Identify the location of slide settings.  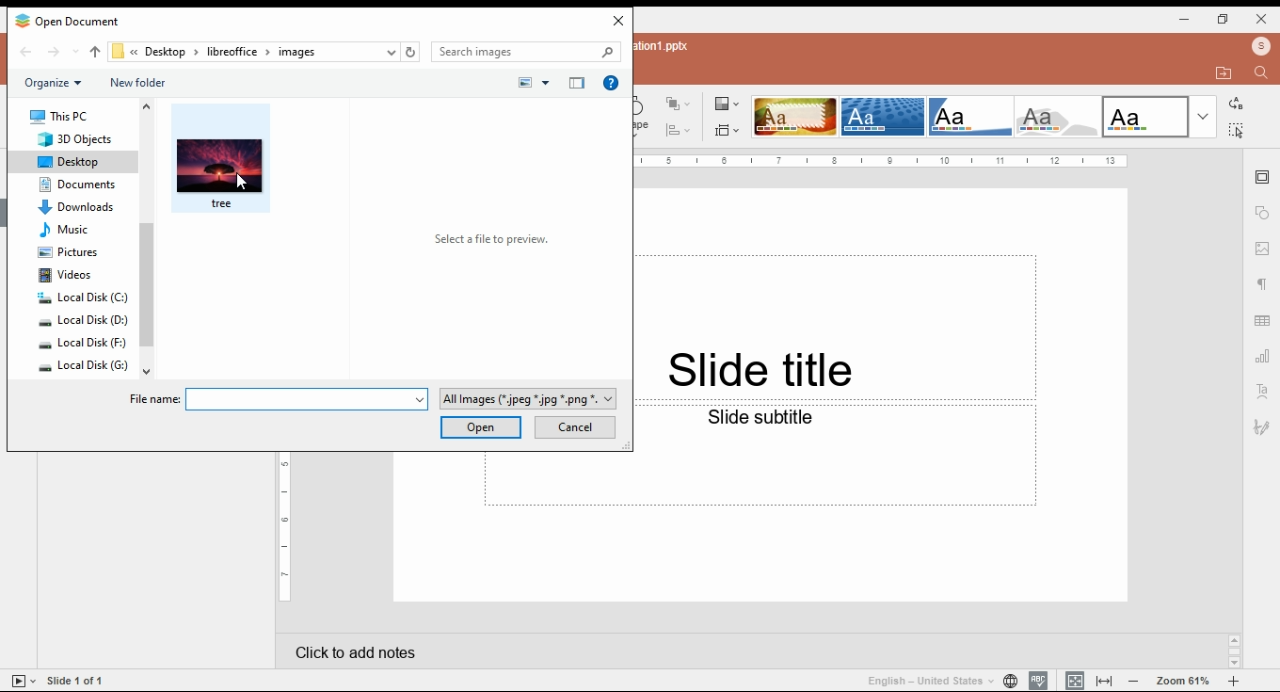
(1264, 177).